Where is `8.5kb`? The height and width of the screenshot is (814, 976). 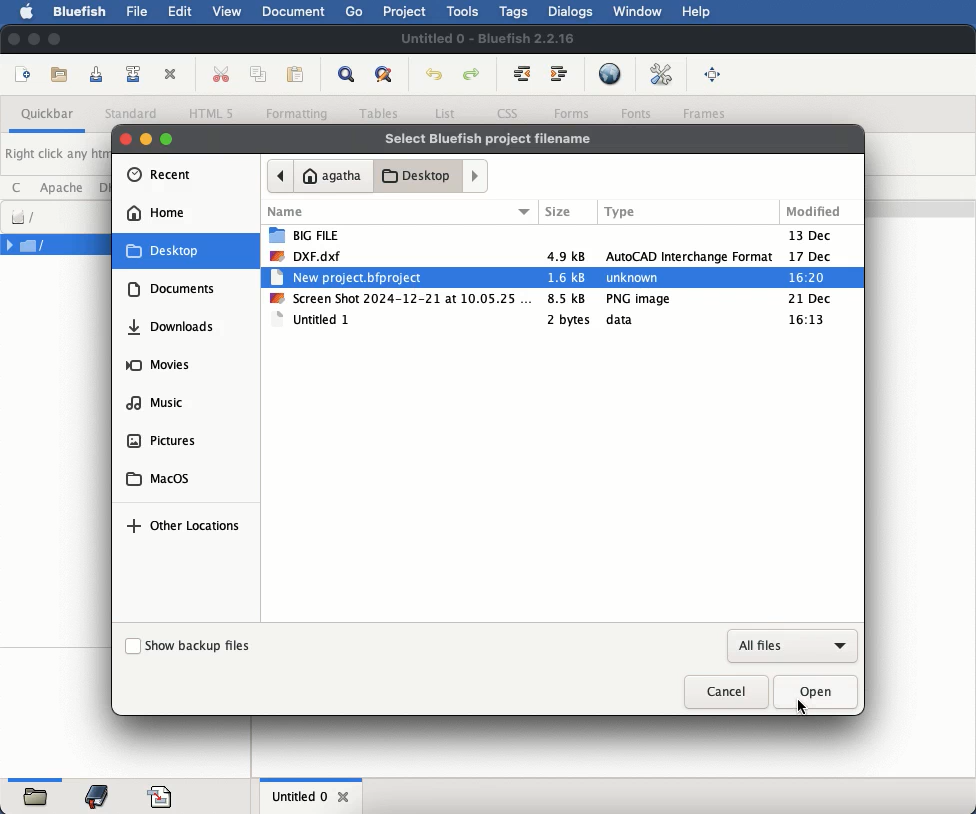
8.5kb is located at coordinates (565, 301).